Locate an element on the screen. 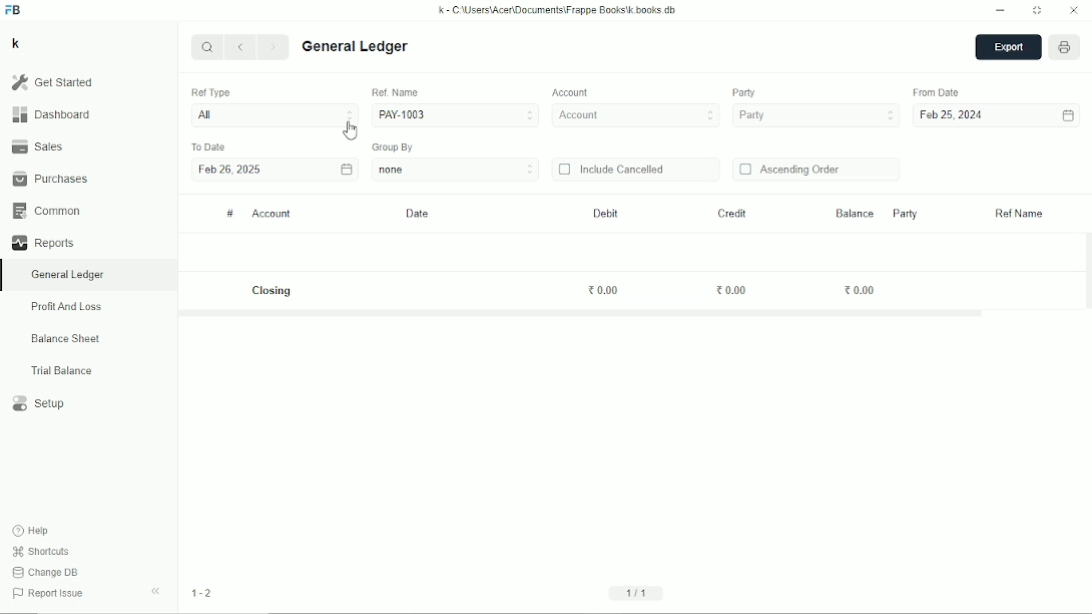 This screenshot has width=1092, height=614. Reports is located at coordinates (42, 243).